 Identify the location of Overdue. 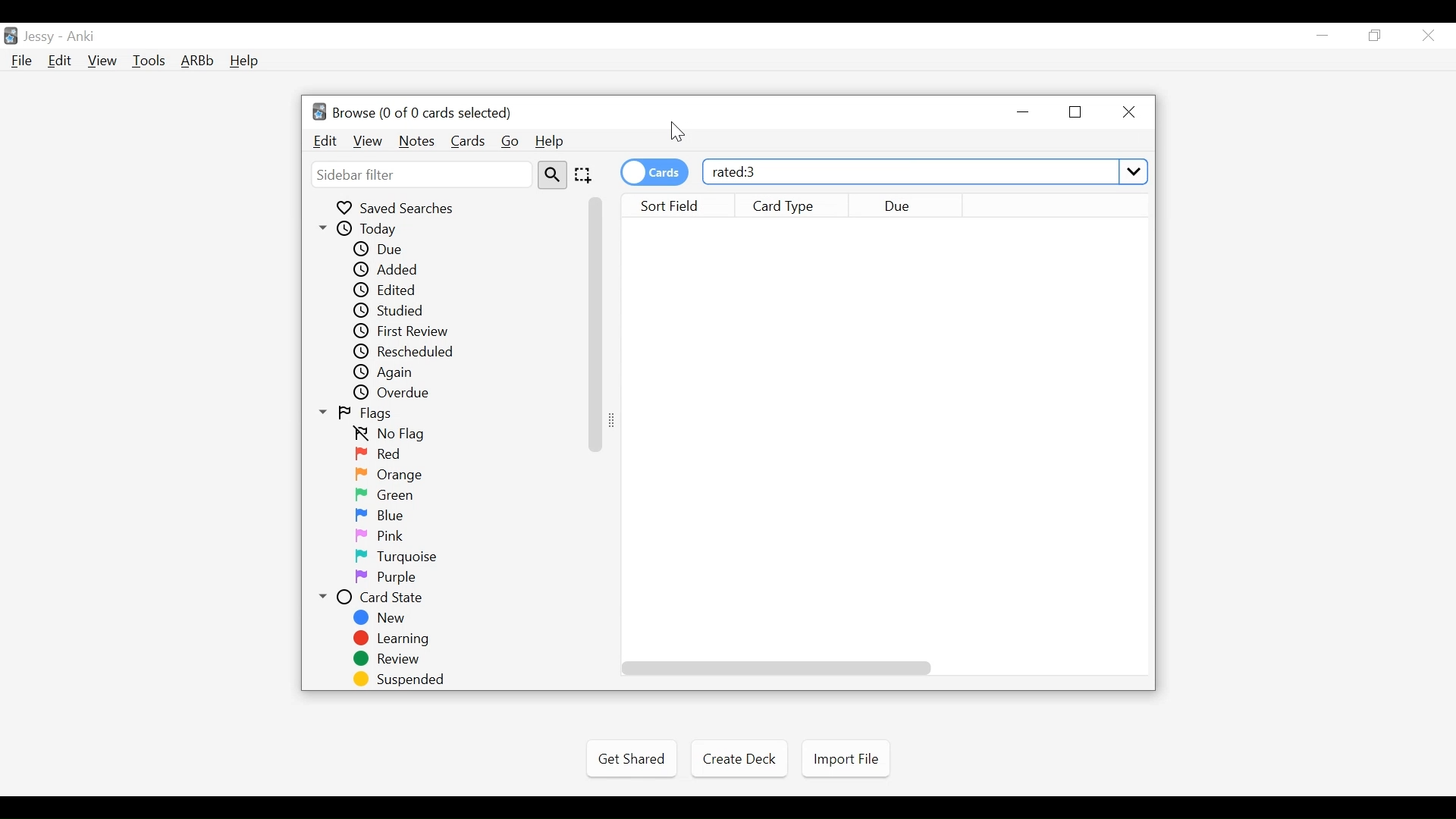
(397, 394).